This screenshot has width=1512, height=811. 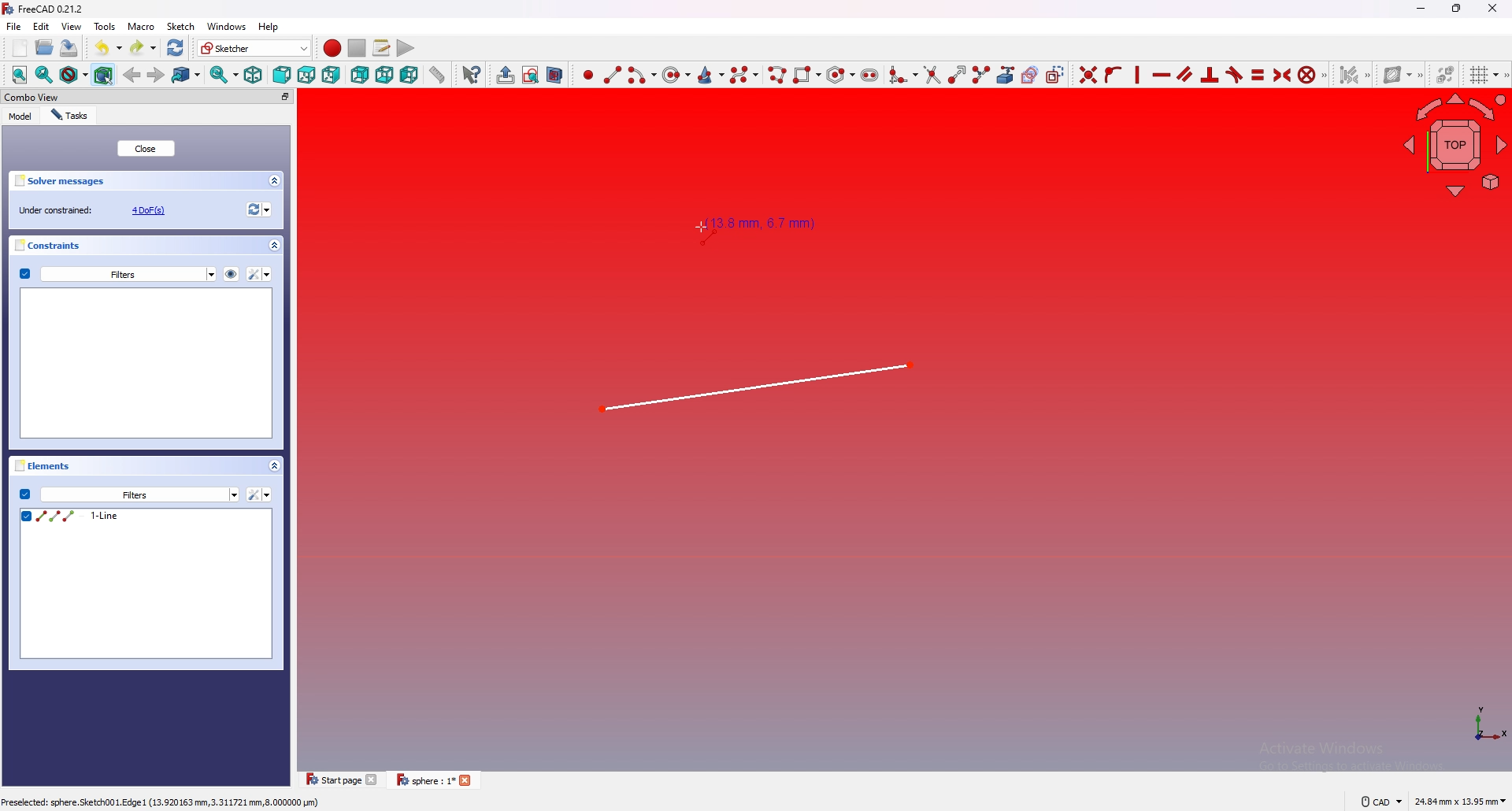 What do you see at coordinates (43, 76) in the screenshot?
I see `Fit selection` at bounding box center [43, 76].